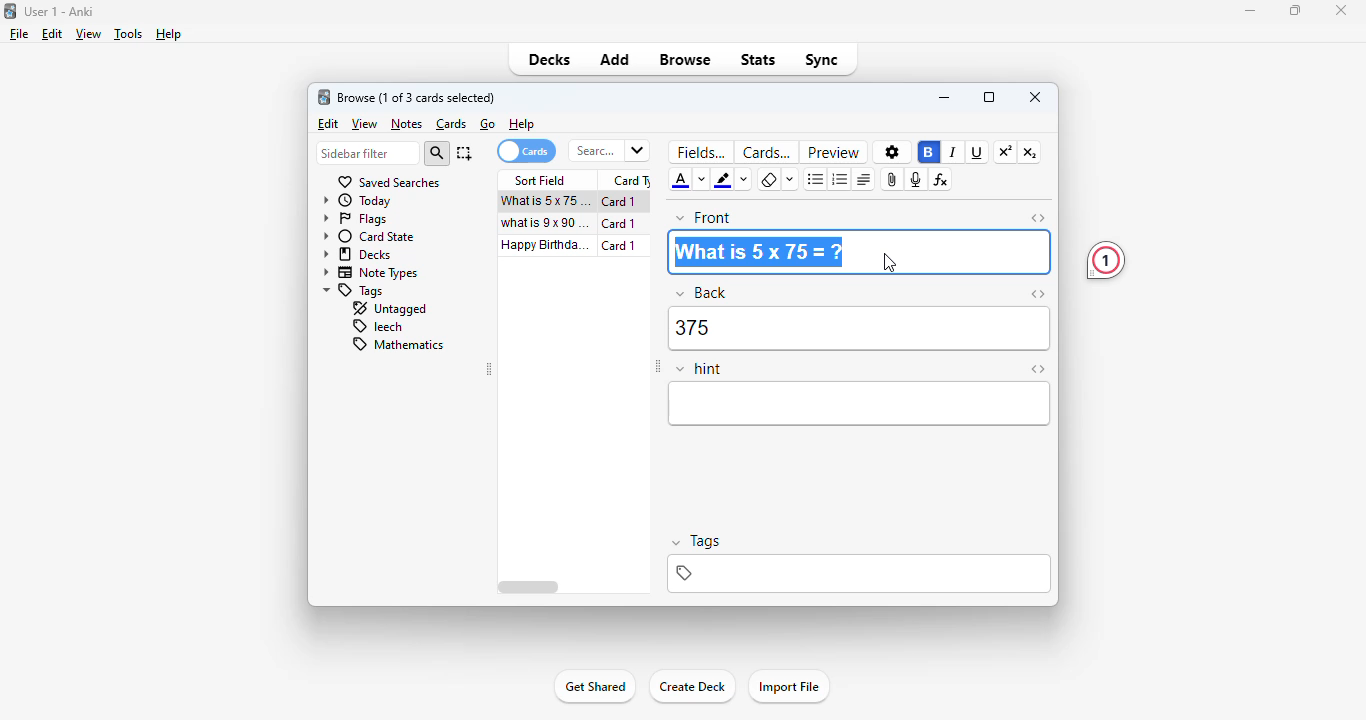 The width and height of the screenshot is (1366, 720). What do you see at coordinates (620, 224) in the screenshot?
I see `card 1` at bounding box center [620, 224].